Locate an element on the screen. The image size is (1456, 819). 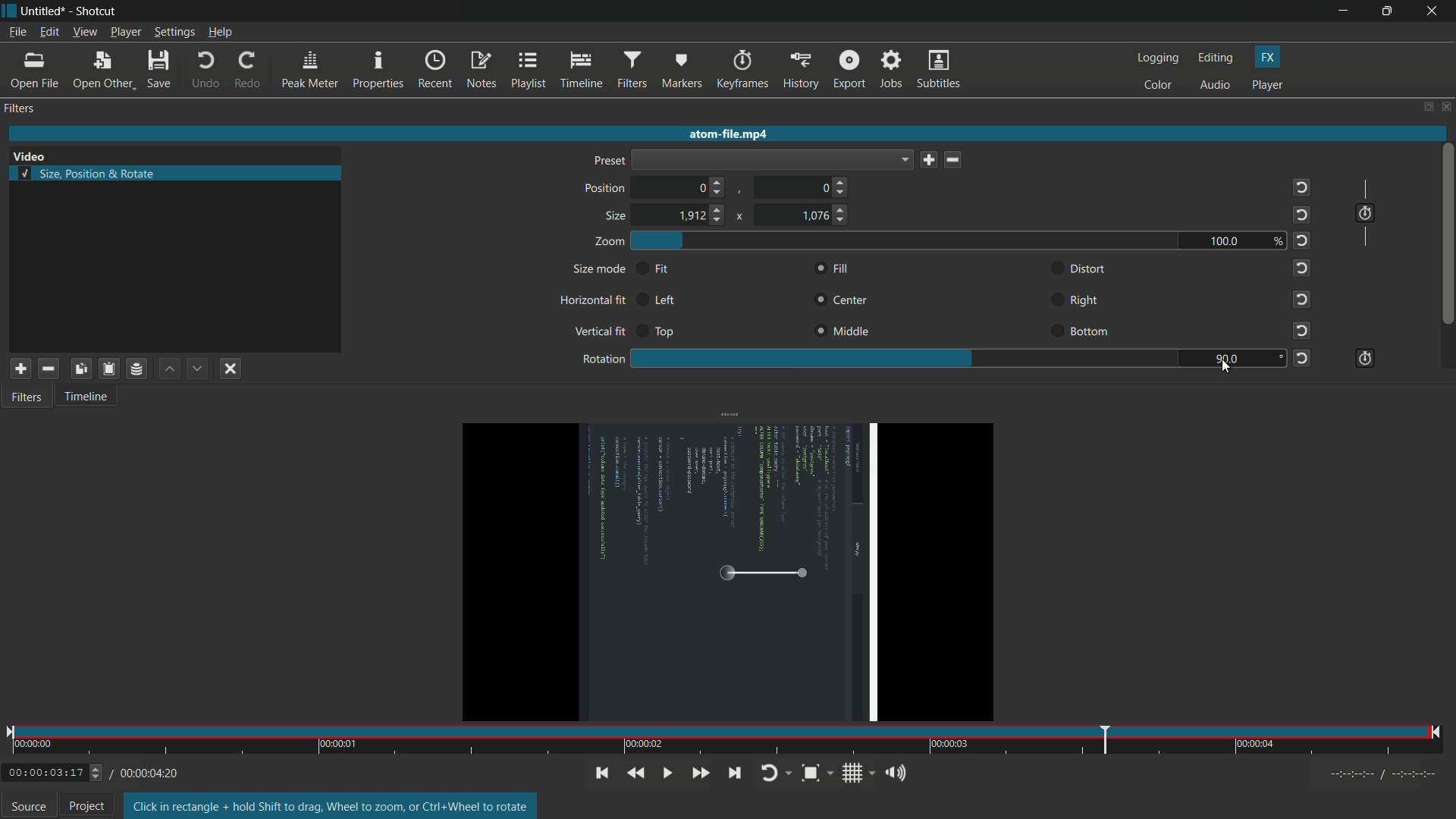
close panel is located at coordinates (1445, 106).